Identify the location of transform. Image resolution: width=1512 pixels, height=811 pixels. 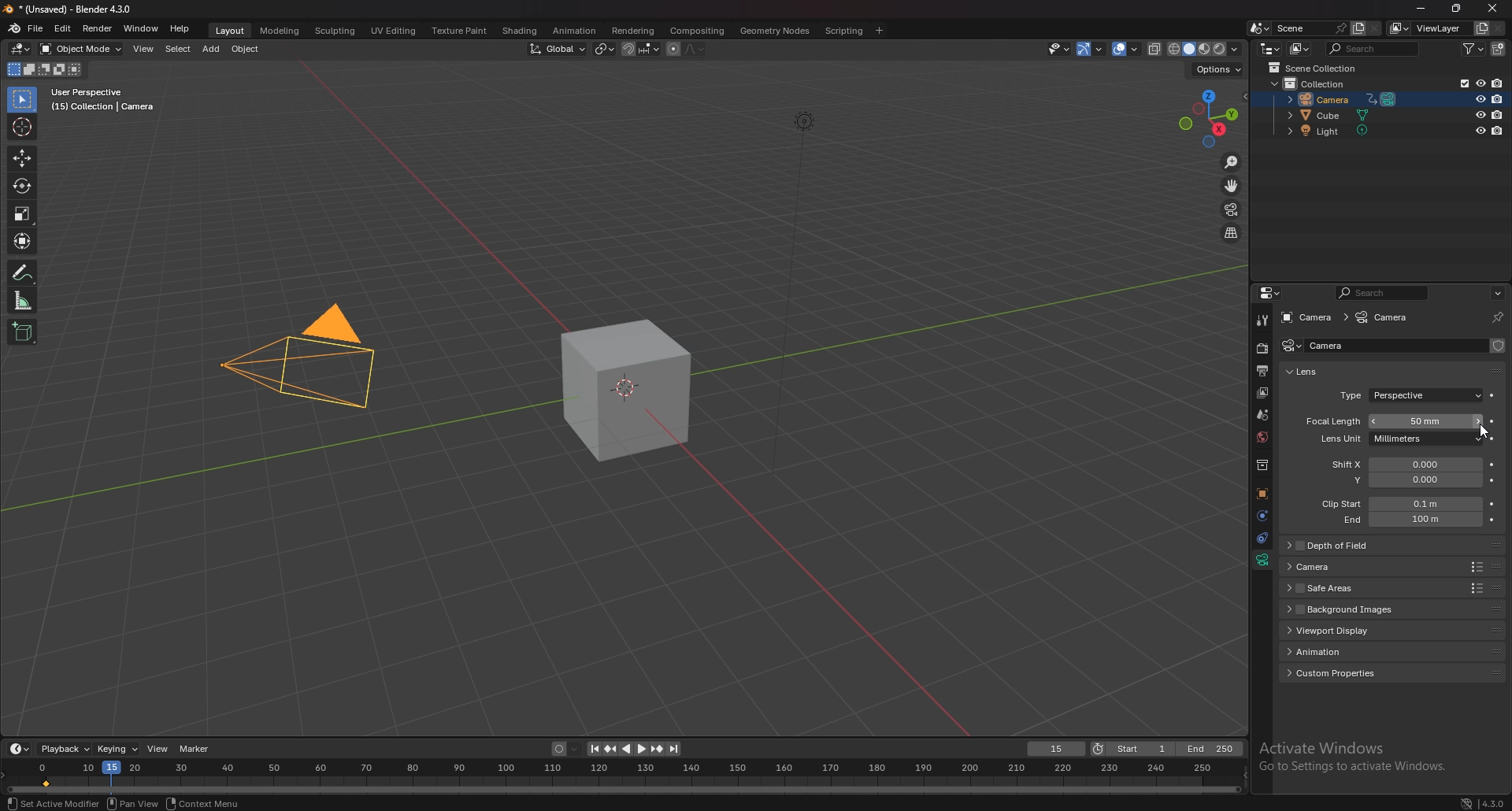
(21, 239).